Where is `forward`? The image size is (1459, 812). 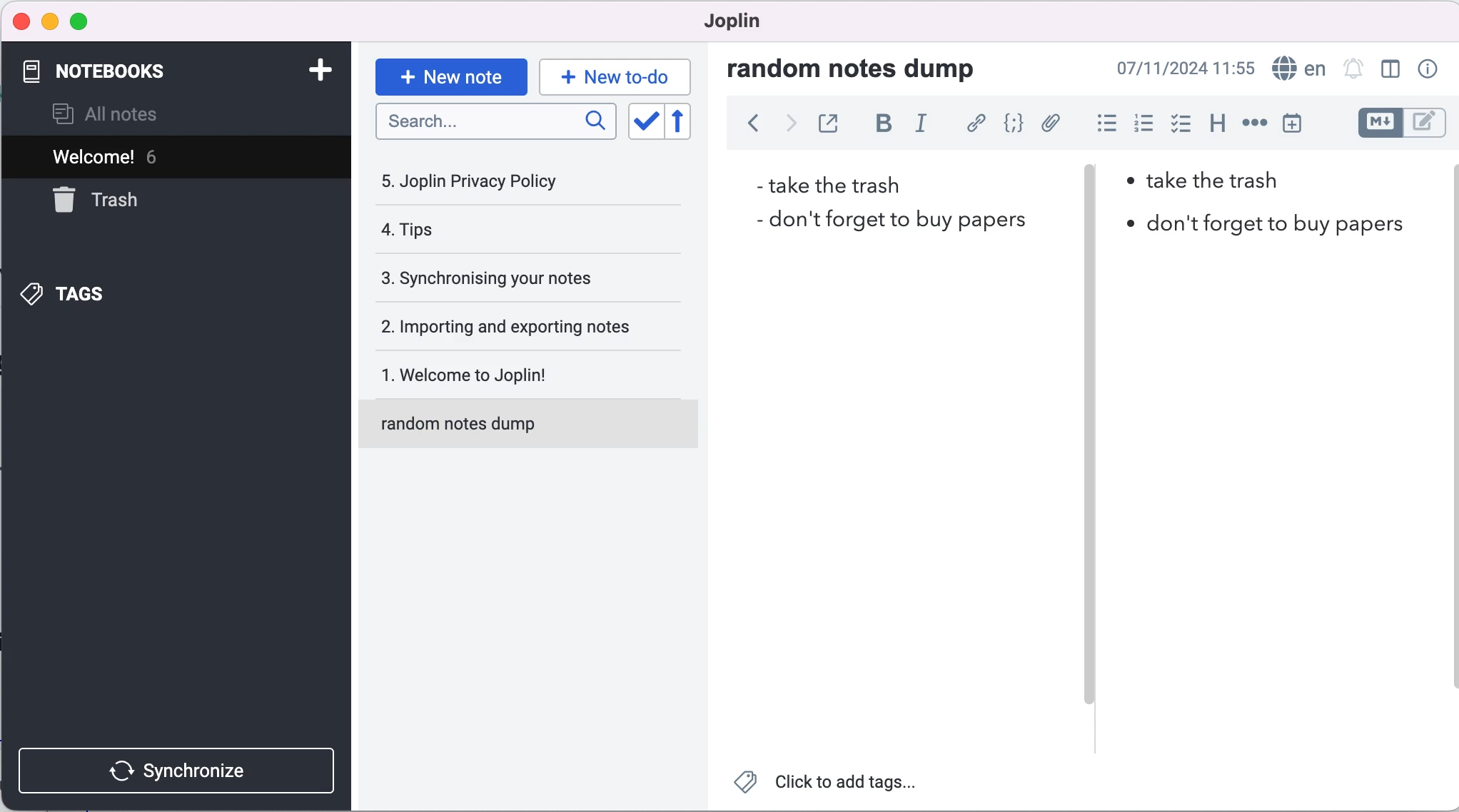 forward is located at coordinates (786, 127).